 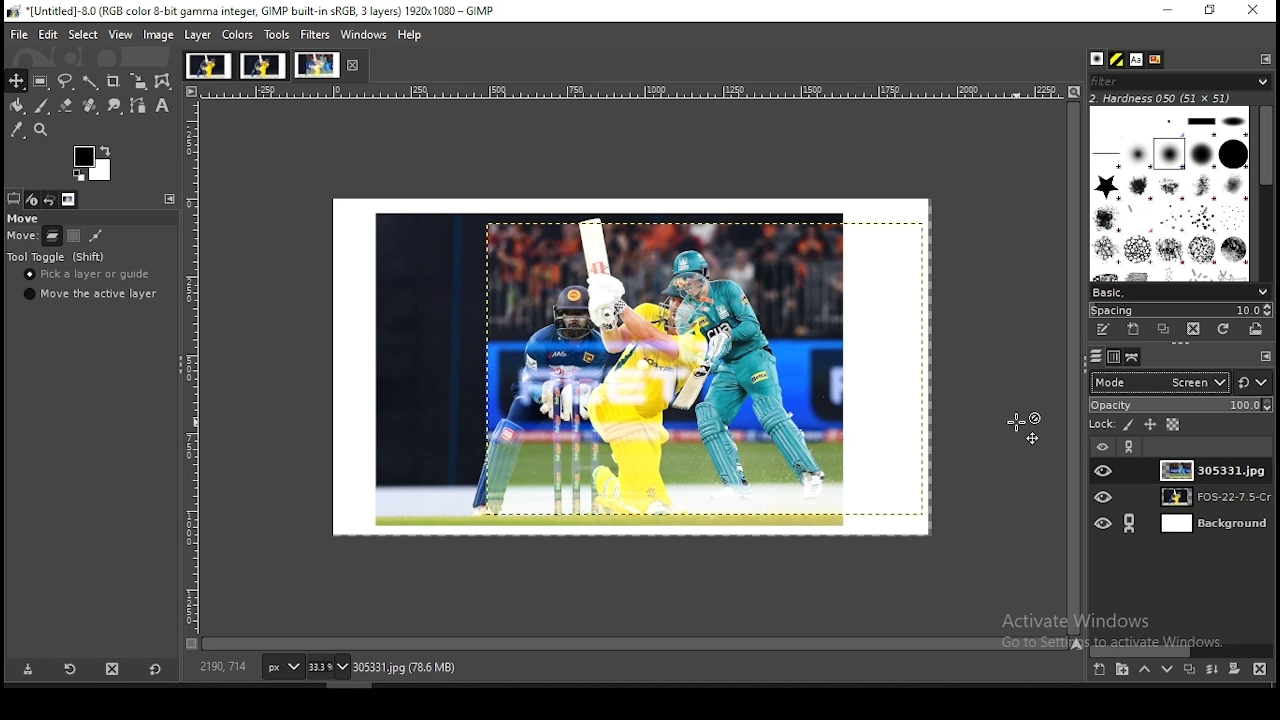 What do you see at coordinates (1261, 668) in the screenshot?
I see `delete layer` at bounding box center [1261, 668].